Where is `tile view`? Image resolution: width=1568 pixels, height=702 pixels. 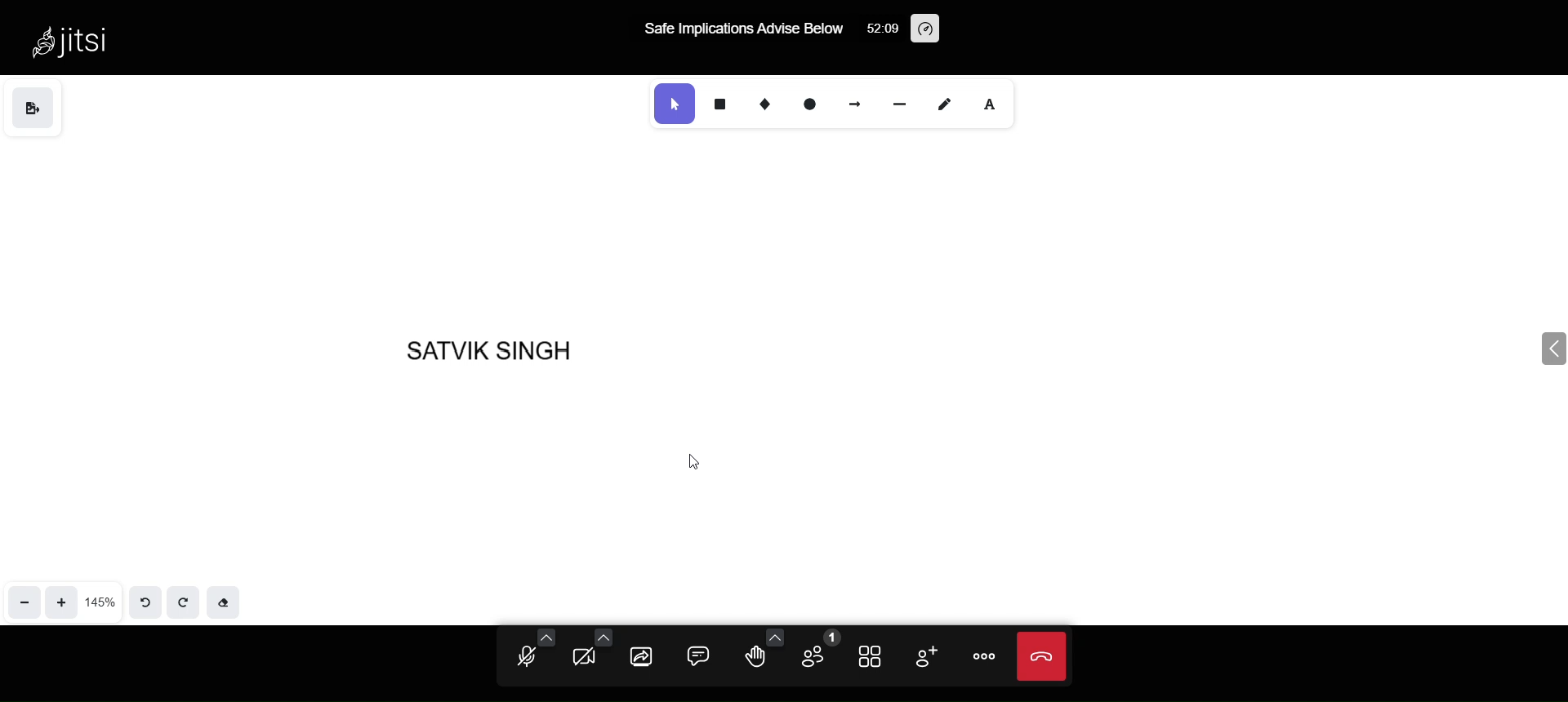
tile view is located at coordinates (874, 659).